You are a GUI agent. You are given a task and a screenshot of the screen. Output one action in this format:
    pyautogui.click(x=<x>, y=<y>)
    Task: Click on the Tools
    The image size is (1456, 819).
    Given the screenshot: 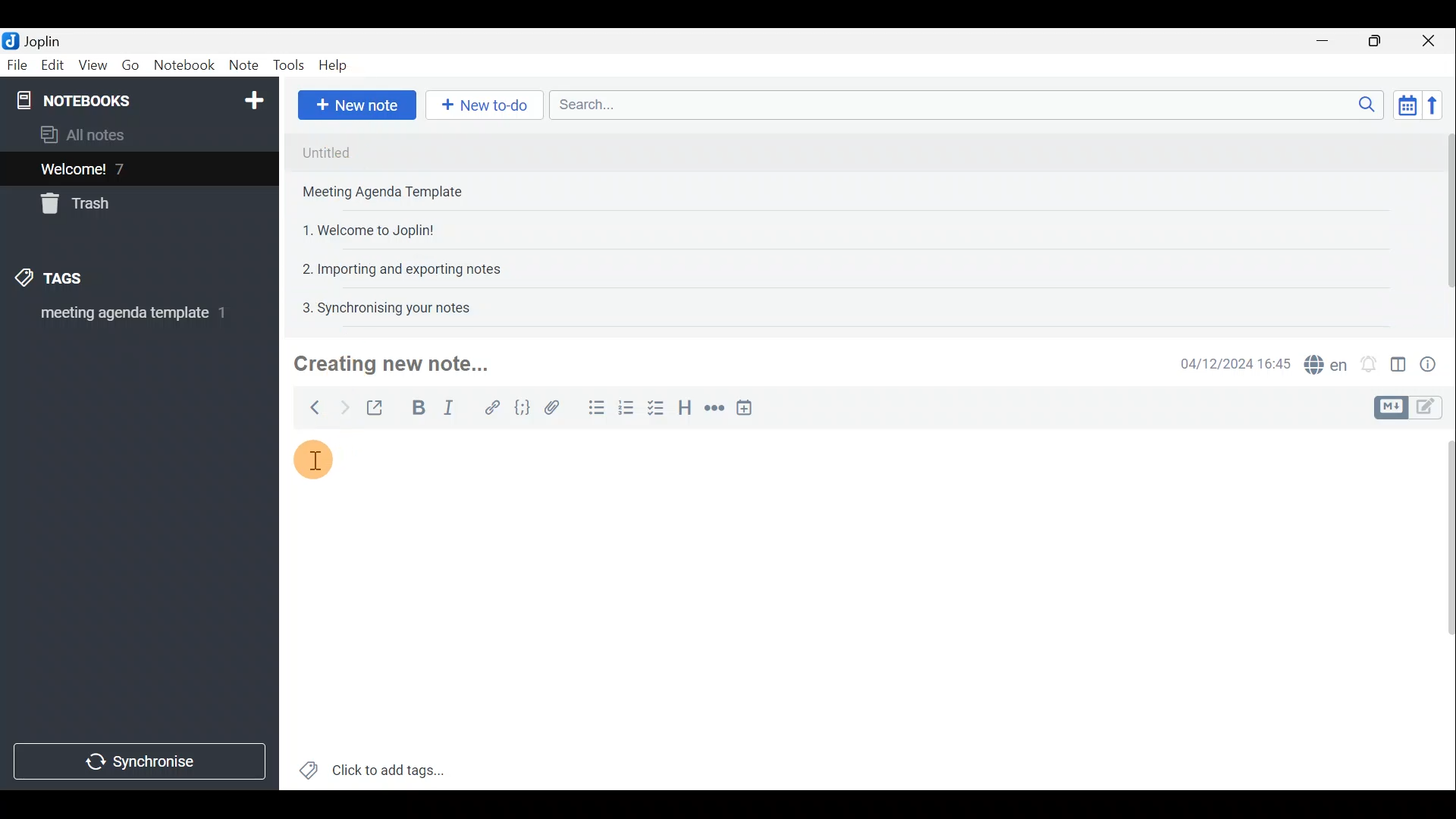 What is the action you would take?
    pyautogui.click(x=290, y=66)
    